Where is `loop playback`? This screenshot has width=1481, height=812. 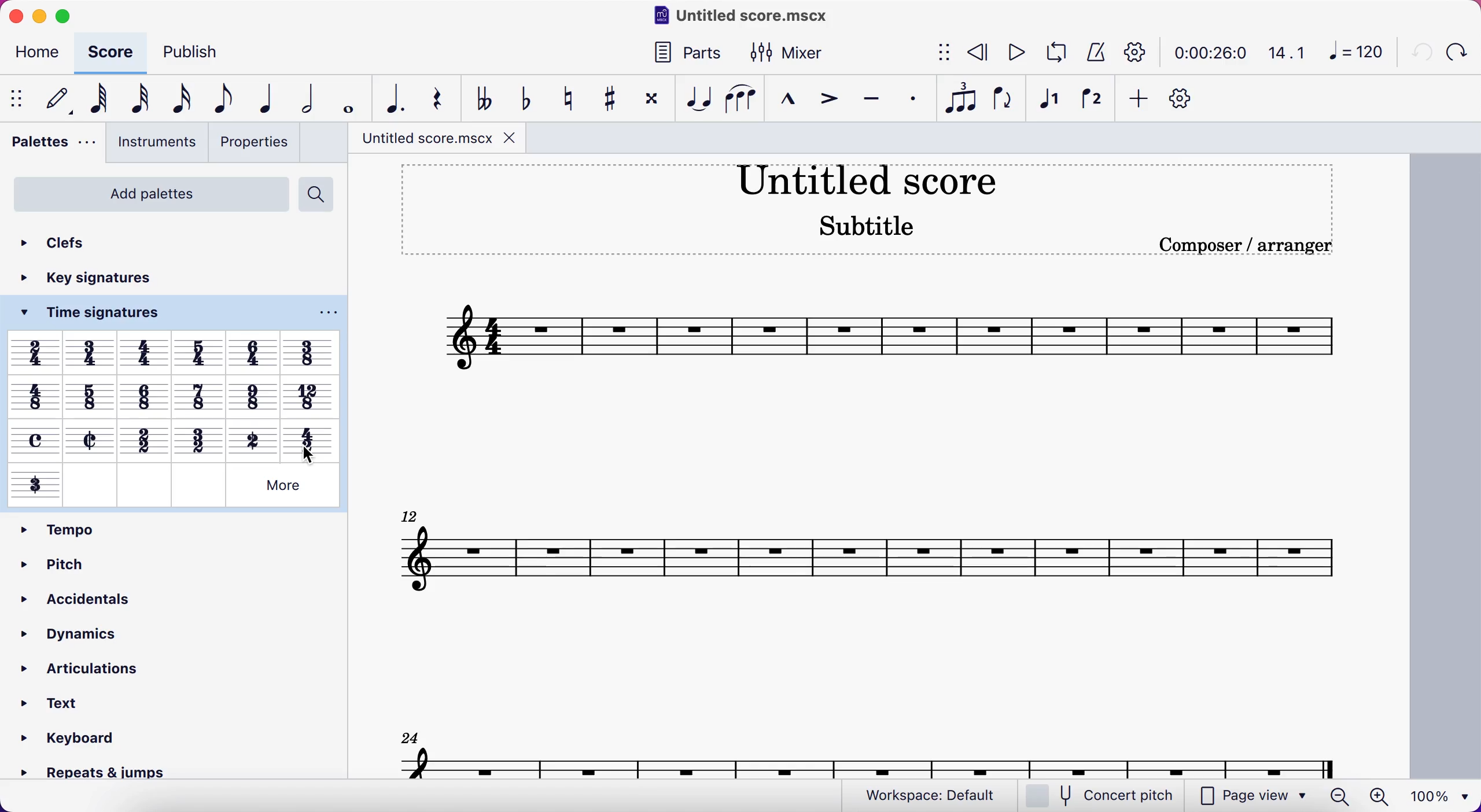
loop playback is located at coordinates (1052, 53).